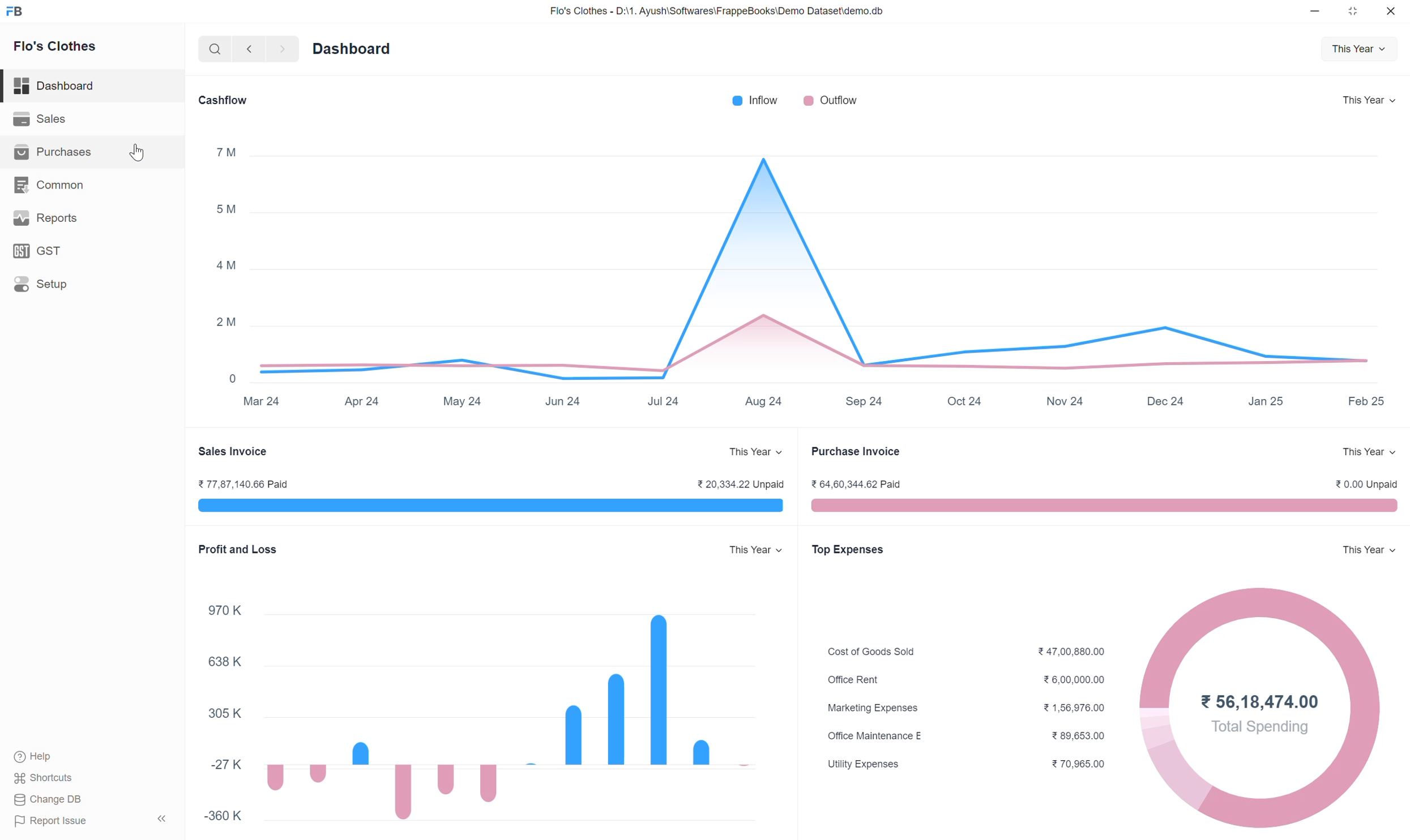 The width and height of the screenshot is (1410, 840). I want to click on Total spending graph, so click(1284, 786).